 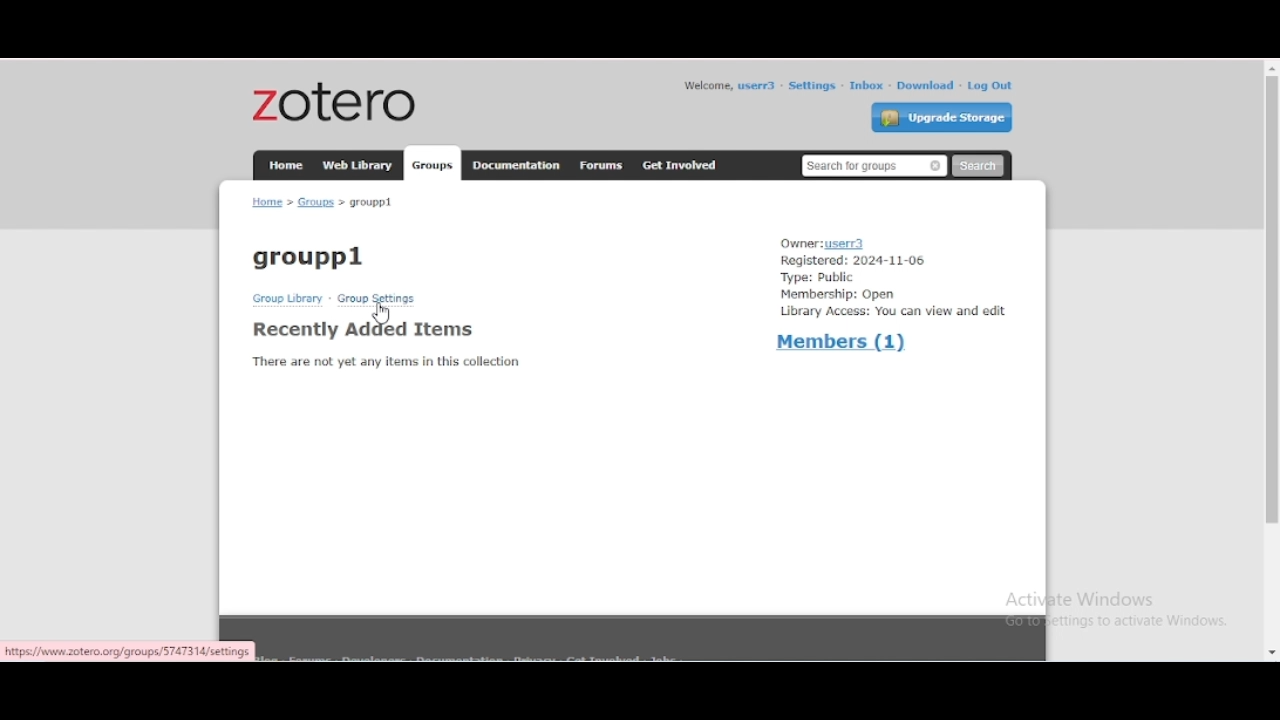 I want to click on web library, so click(x=357, y=164).